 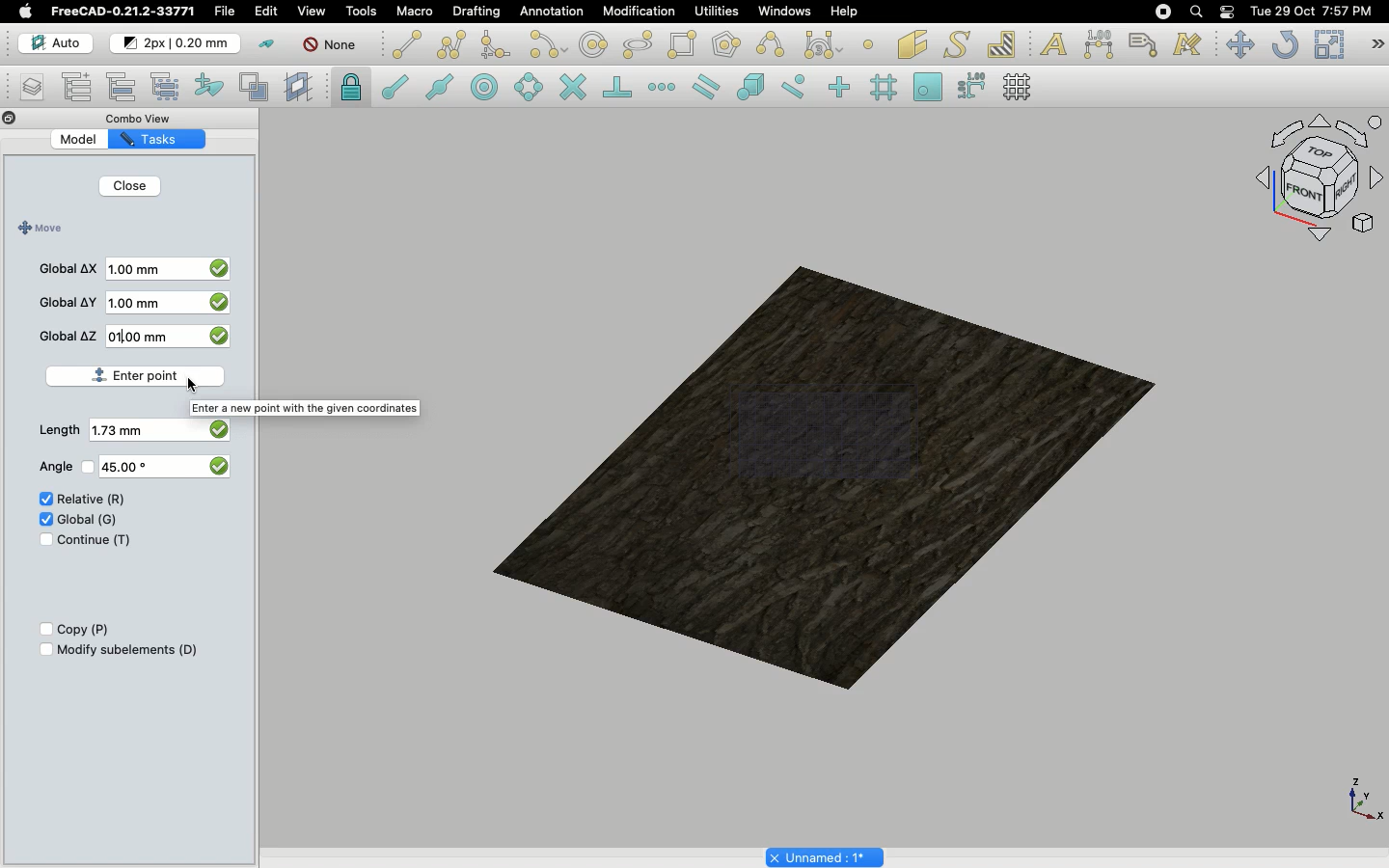 I want to click on Snap dimensions, so click(x=972, y=87).